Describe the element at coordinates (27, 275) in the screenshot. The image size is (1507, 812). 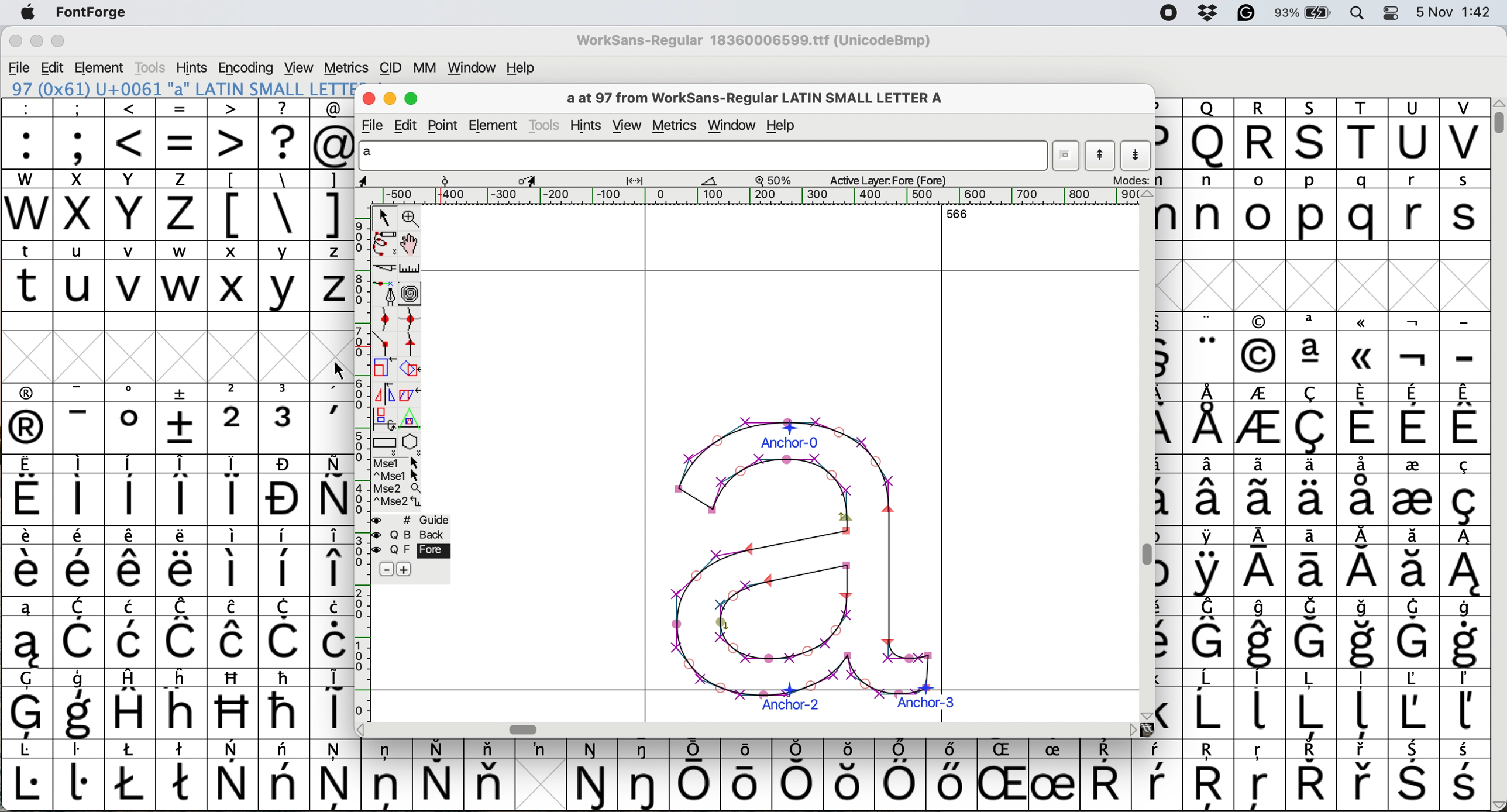
I see `t` at that location.